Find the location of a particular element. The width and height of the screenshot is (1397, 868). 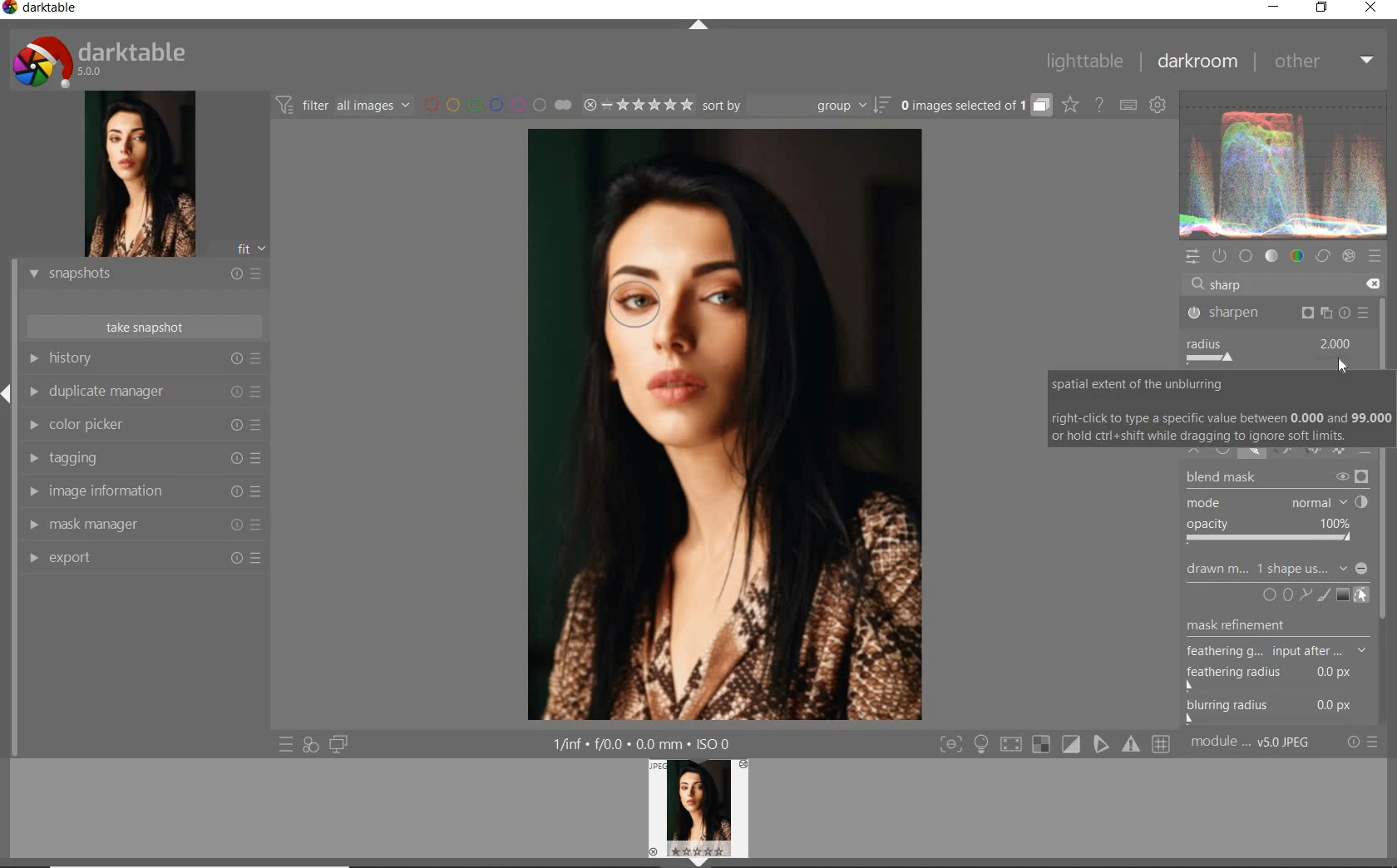

drawn mask is located at coordinates (1212, 572).